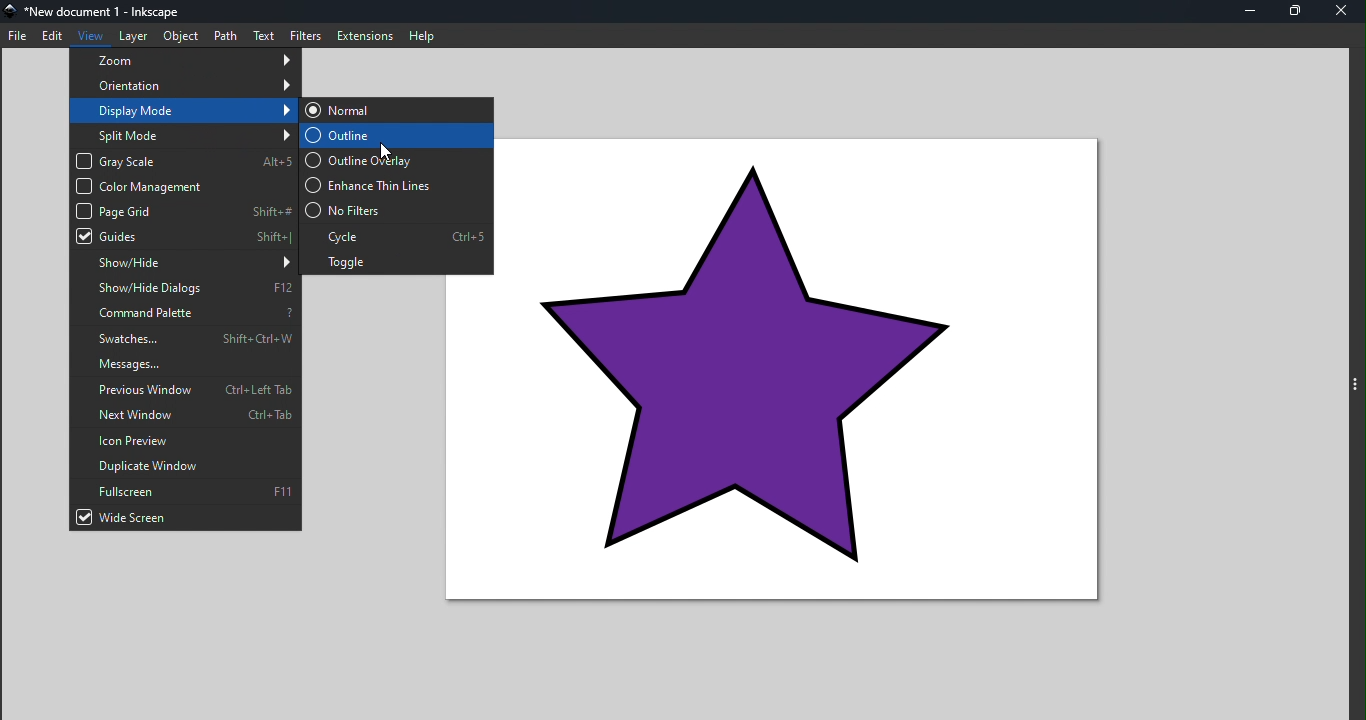  Describe the element at coordinates (176, 38) in the screenshot. I see `Object` at that location.